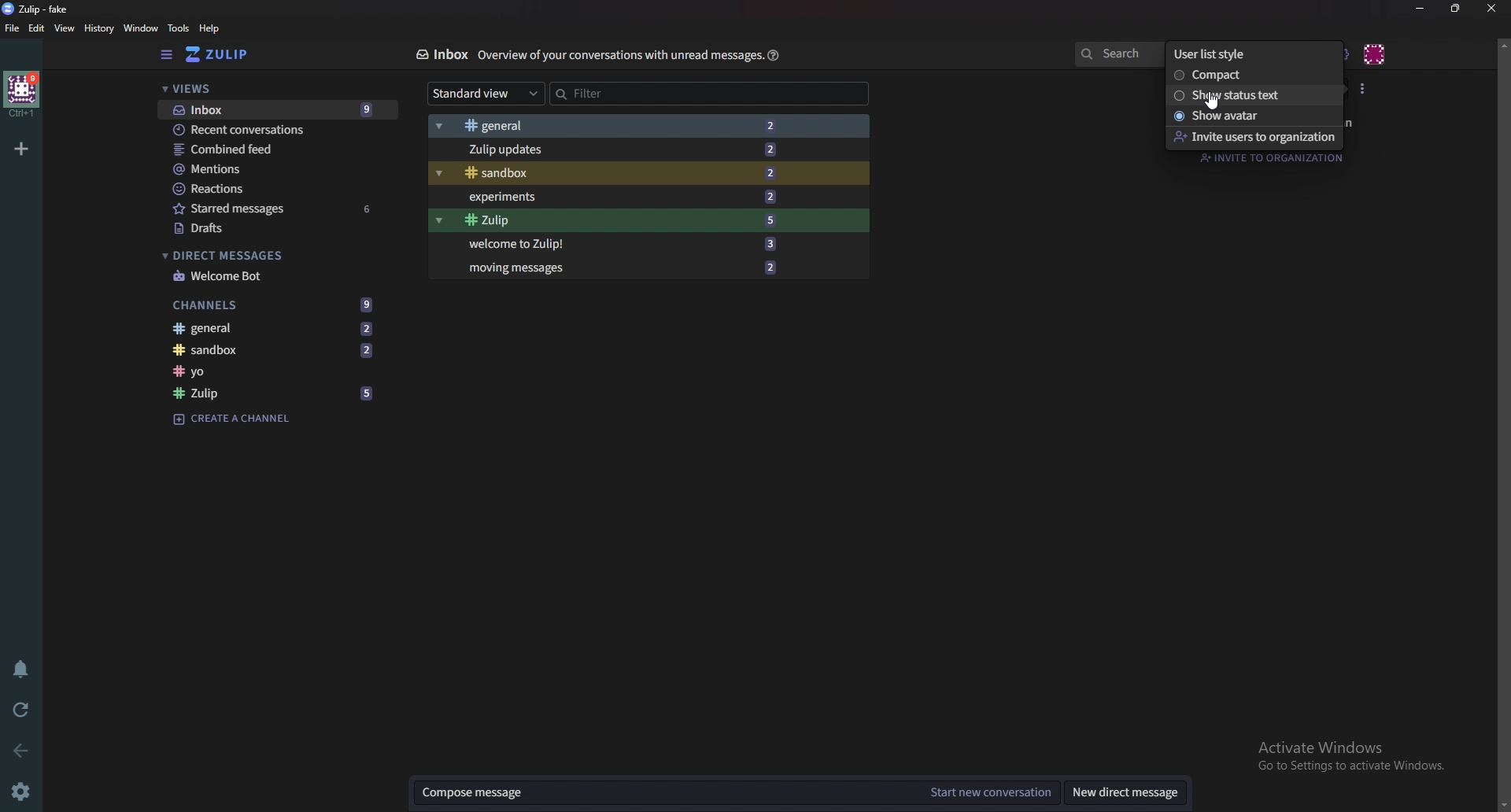 The width and height of the screenshot is (1511, 812). What do you see at coordinates (1498, 424) in the screenshot?
I see `Scroll bar` at bounding box center [1498, 424].